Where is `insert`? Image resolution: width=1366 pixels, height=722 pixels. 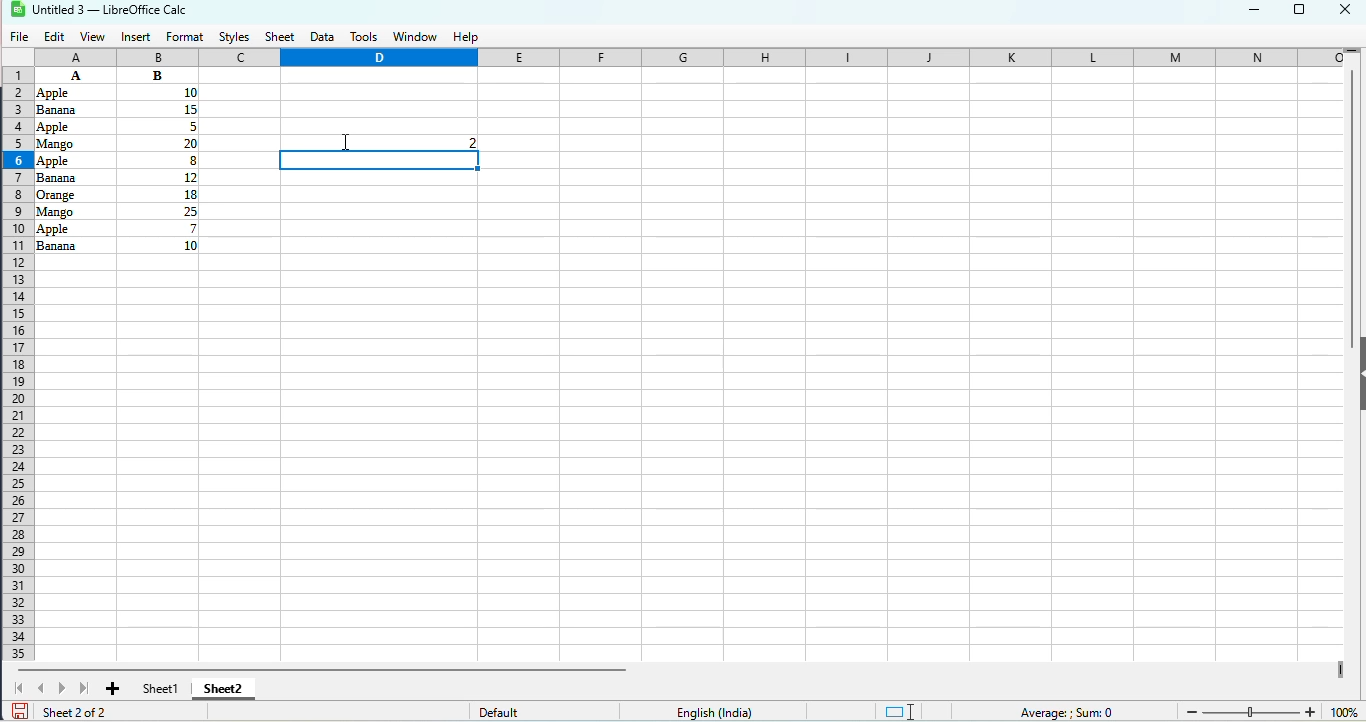 insert is located at coordinates (135, 37).